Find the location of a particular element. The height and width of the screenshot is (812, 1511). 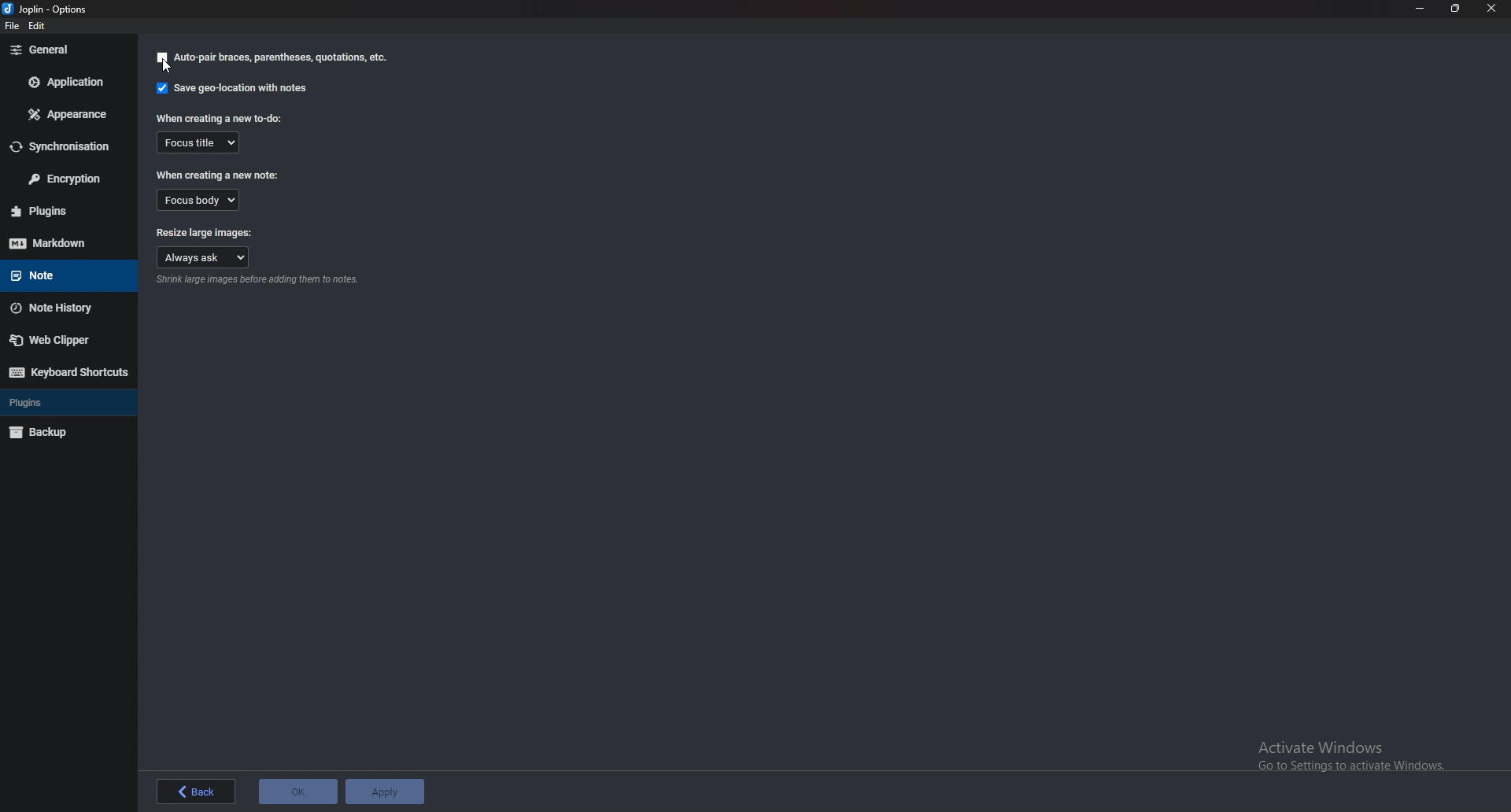

info is located at coordinates (261, 281).